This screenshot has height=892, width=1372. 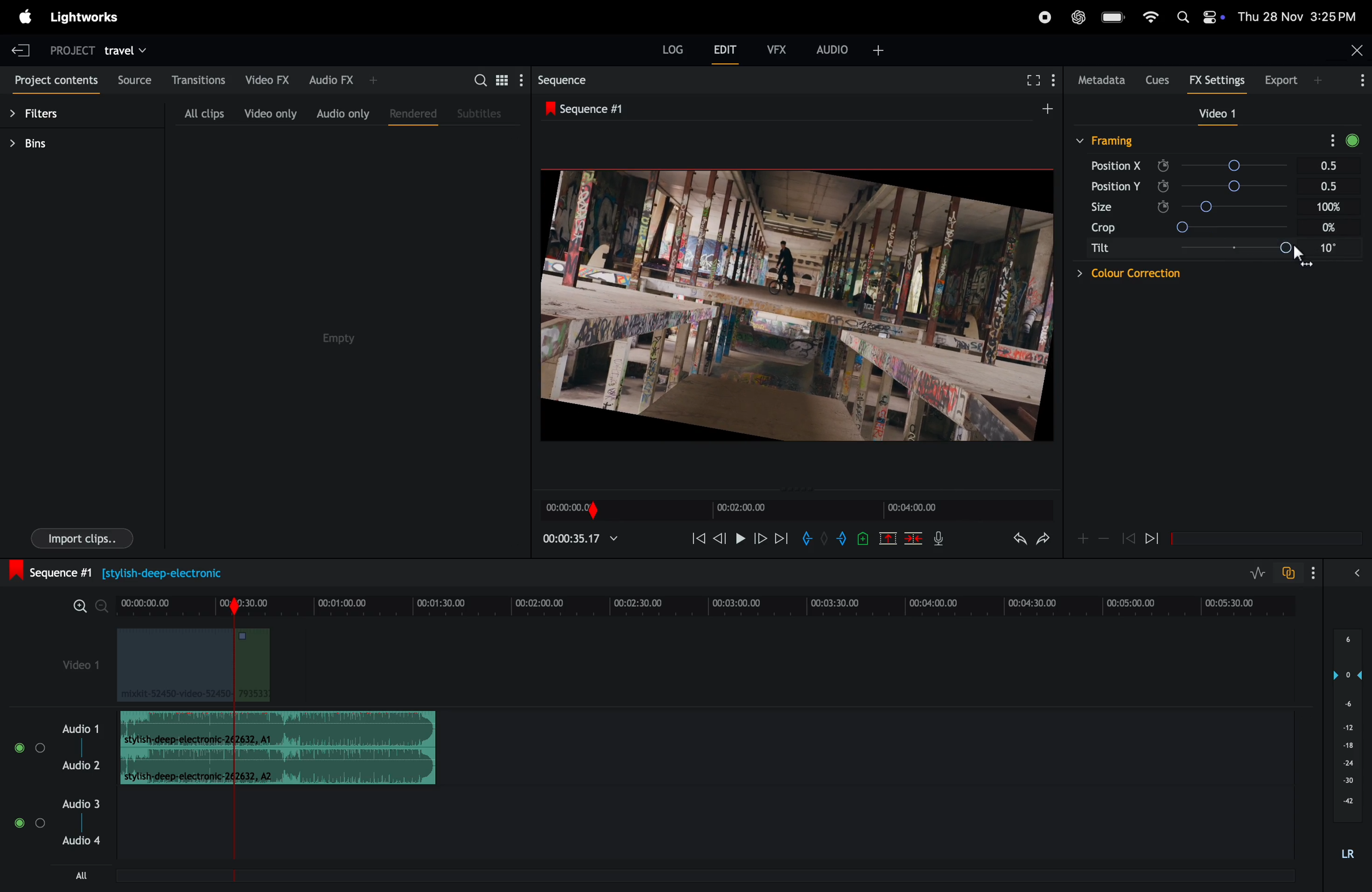 I want to click on toggle bypass, so click(x=1352, y=138).